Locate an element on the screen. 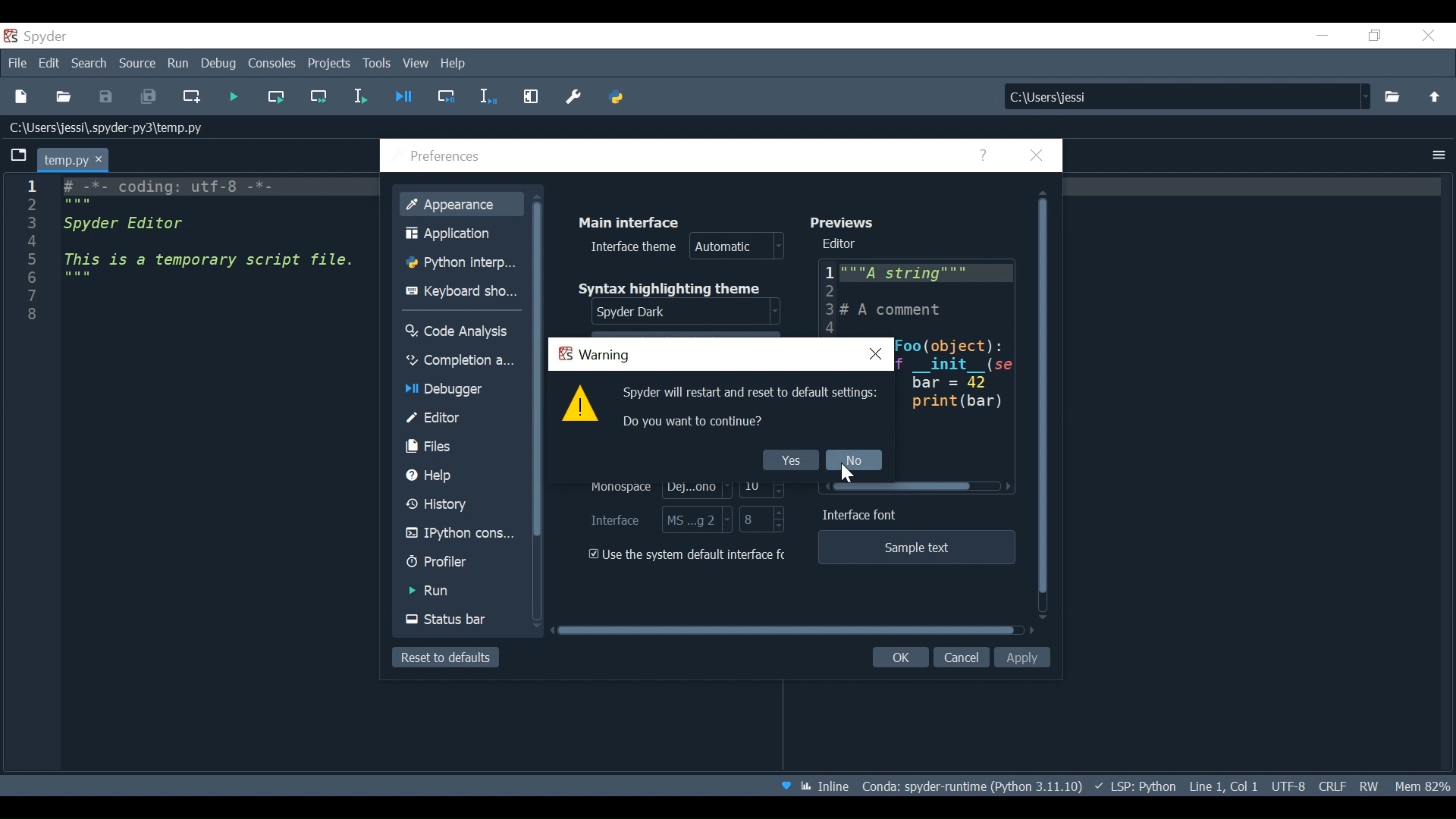 The width and height of the screenshot is (1456, 819). Current Tab is located at coordinates (71, 158).